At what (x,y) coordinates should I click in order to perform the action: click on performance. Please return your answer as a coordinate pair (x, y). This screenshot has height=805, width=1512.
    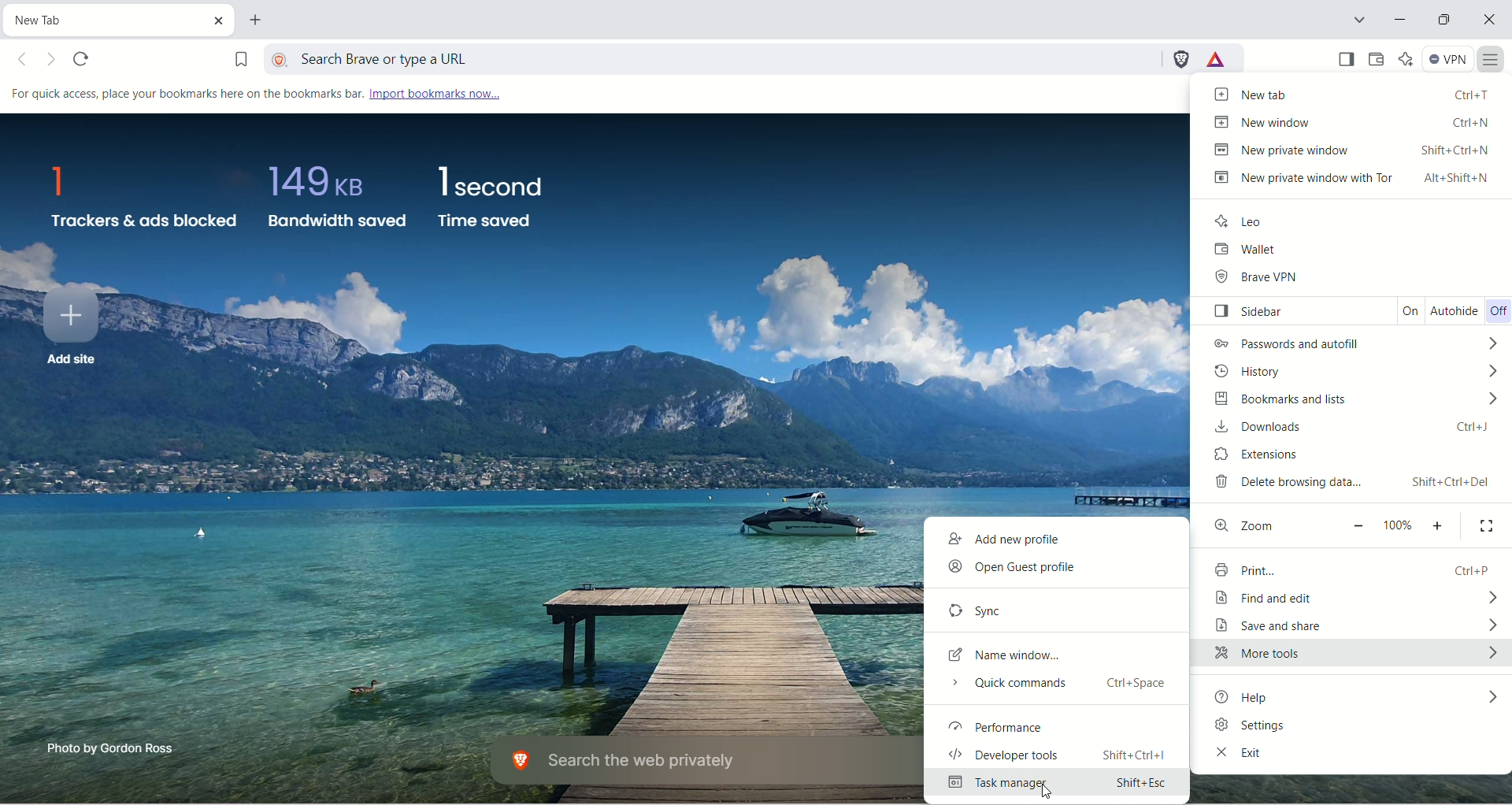
    Looking at the image, I should click on (1062, 726).